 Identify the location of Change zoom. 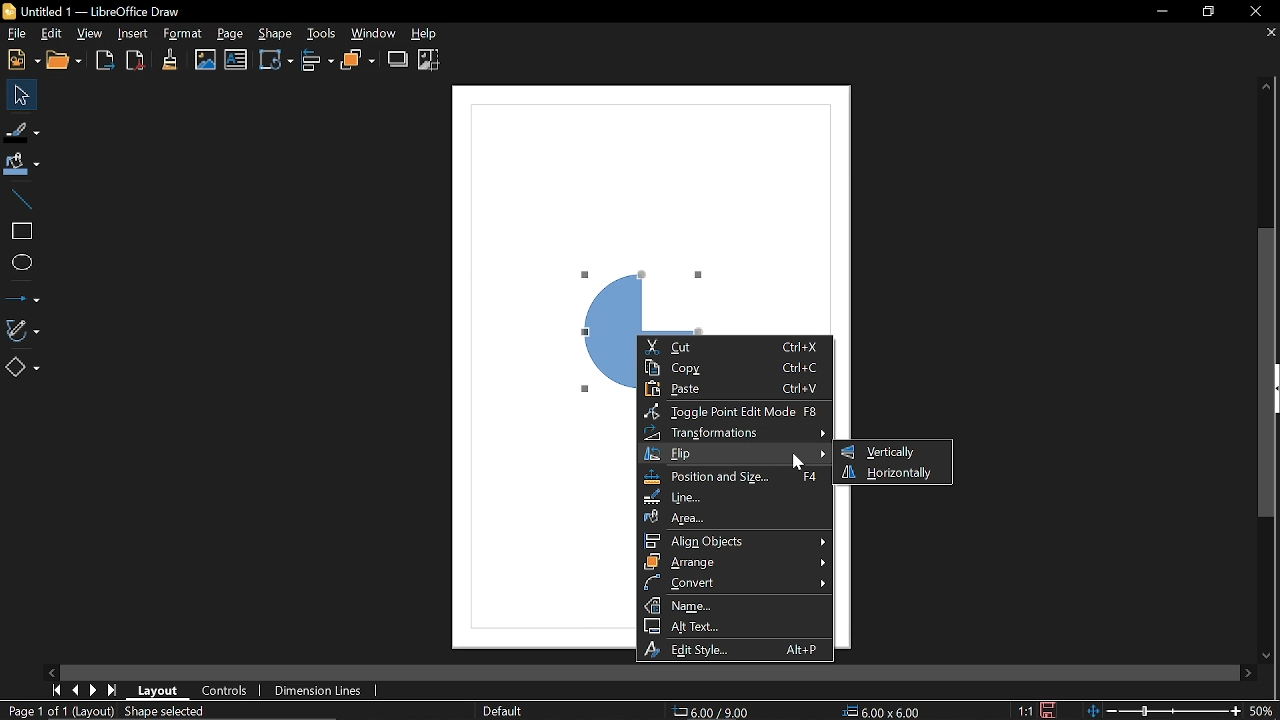
(1165, 711).